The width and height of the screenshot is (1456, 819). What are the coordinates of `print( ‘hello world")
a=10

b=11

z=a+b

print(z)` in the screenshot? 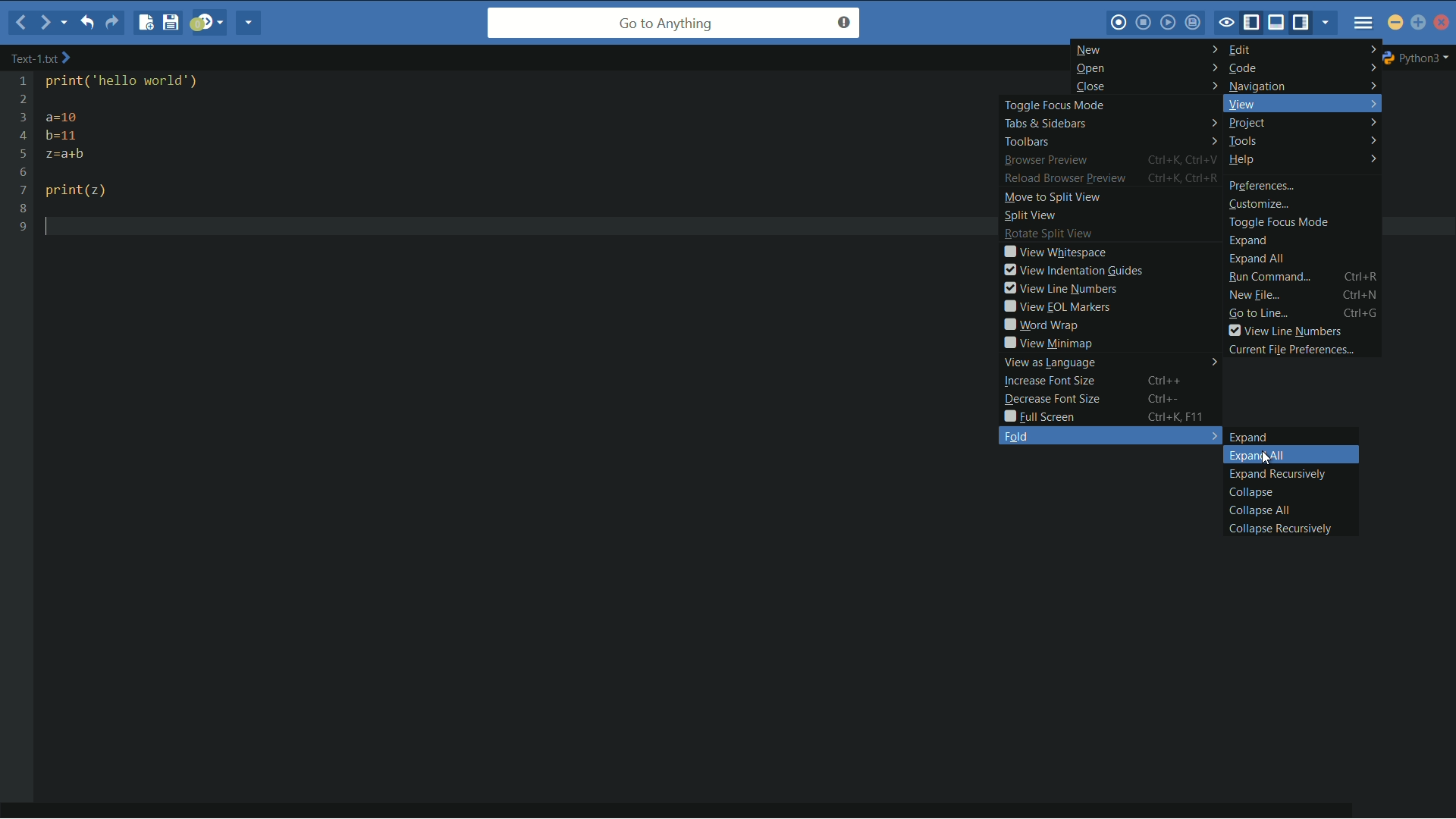 It's located at (148, 139).